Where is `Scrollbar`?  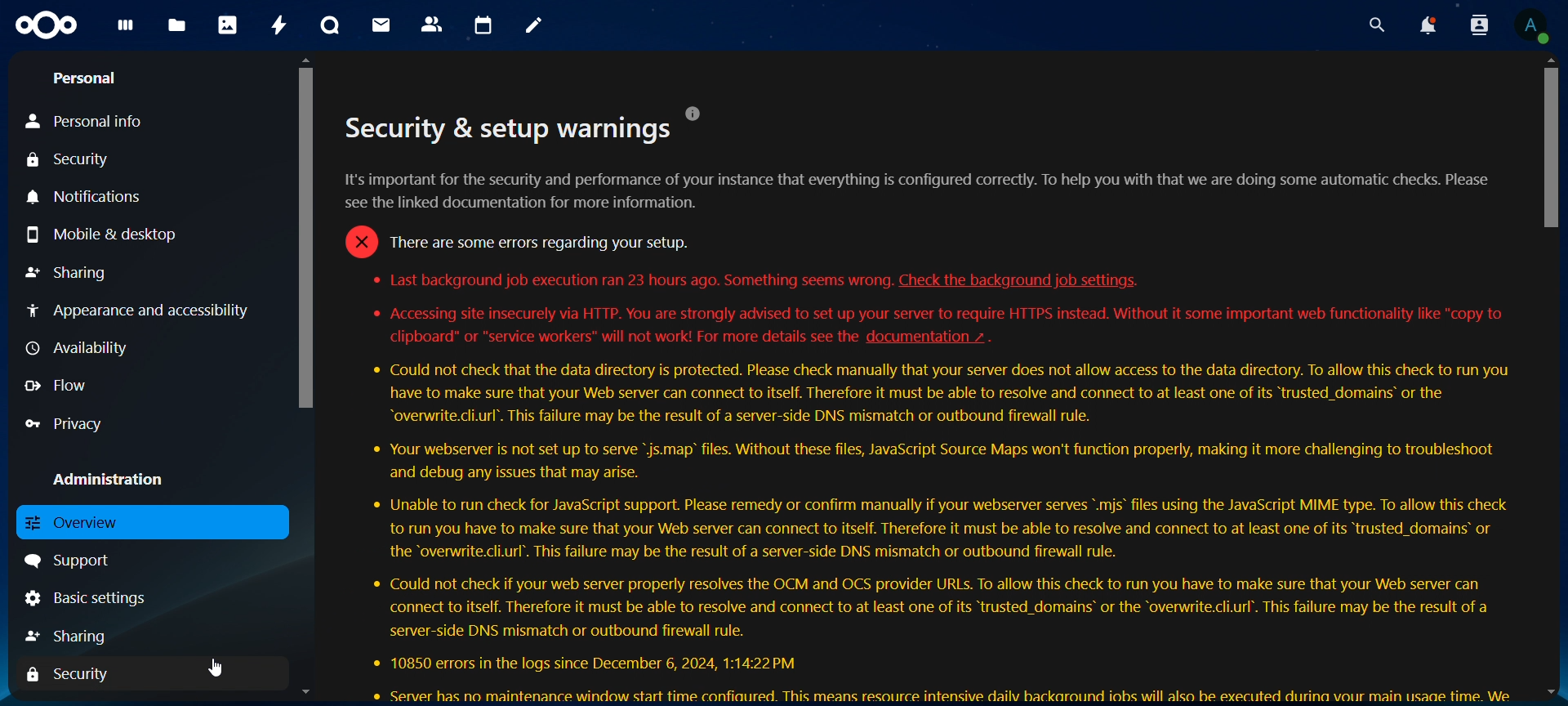 Scrollbar is located at coordinates (1548, 378).